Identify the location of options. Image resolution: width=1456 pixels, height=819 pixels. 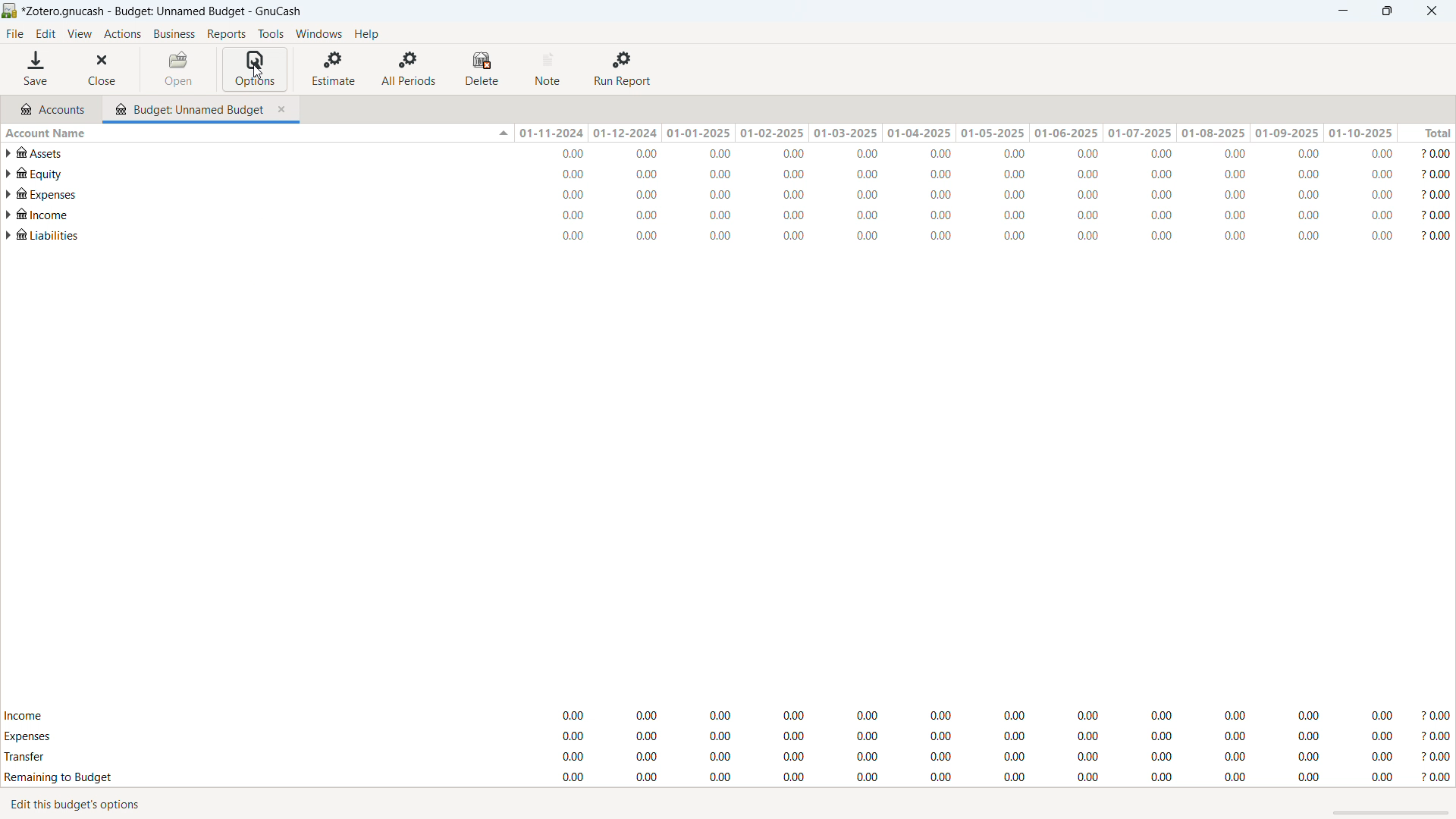
(255, 69).